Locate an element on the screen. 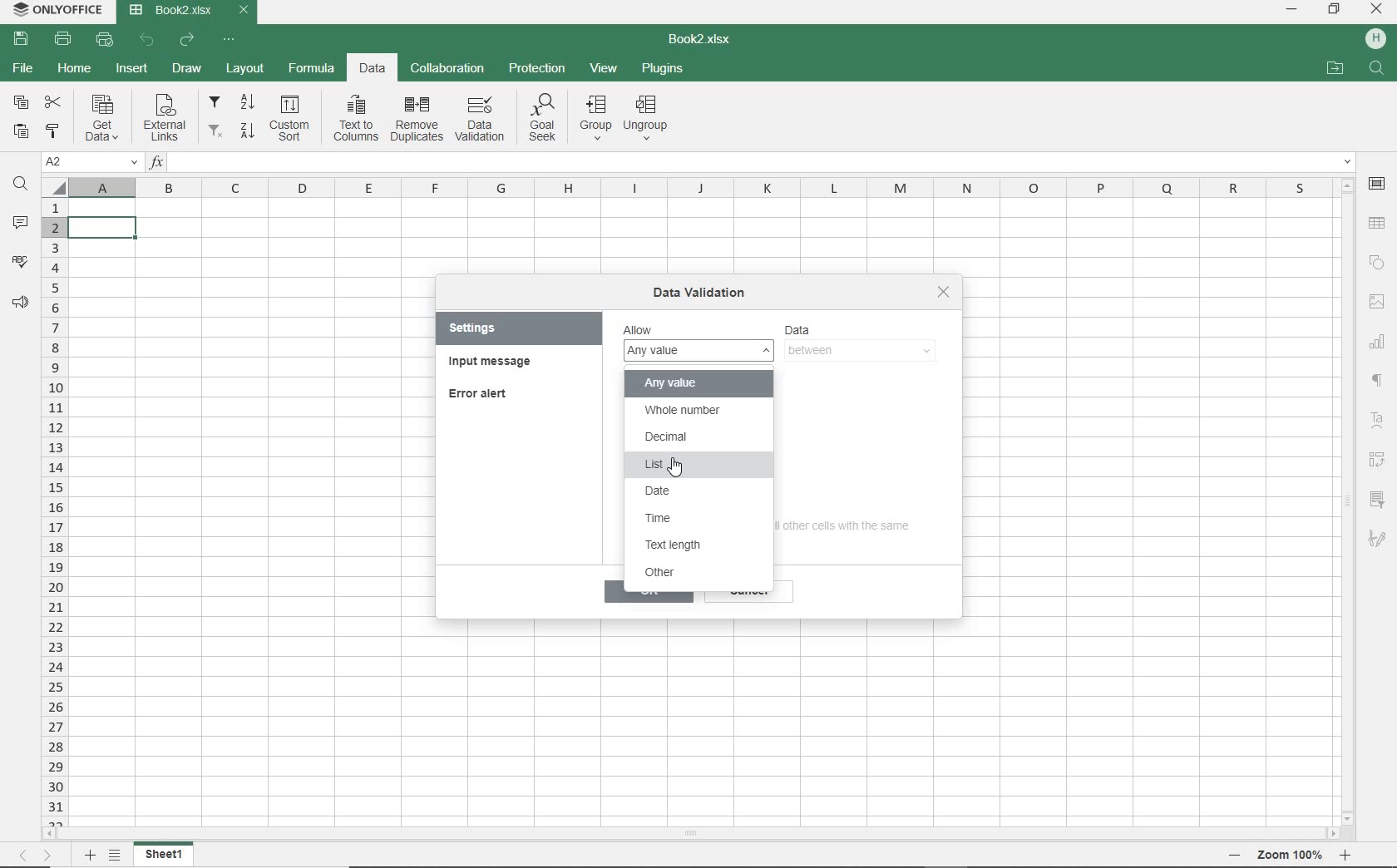 This screenshot has width=1397, height=868. COLLABORATION is located at coordinates (446, 69).